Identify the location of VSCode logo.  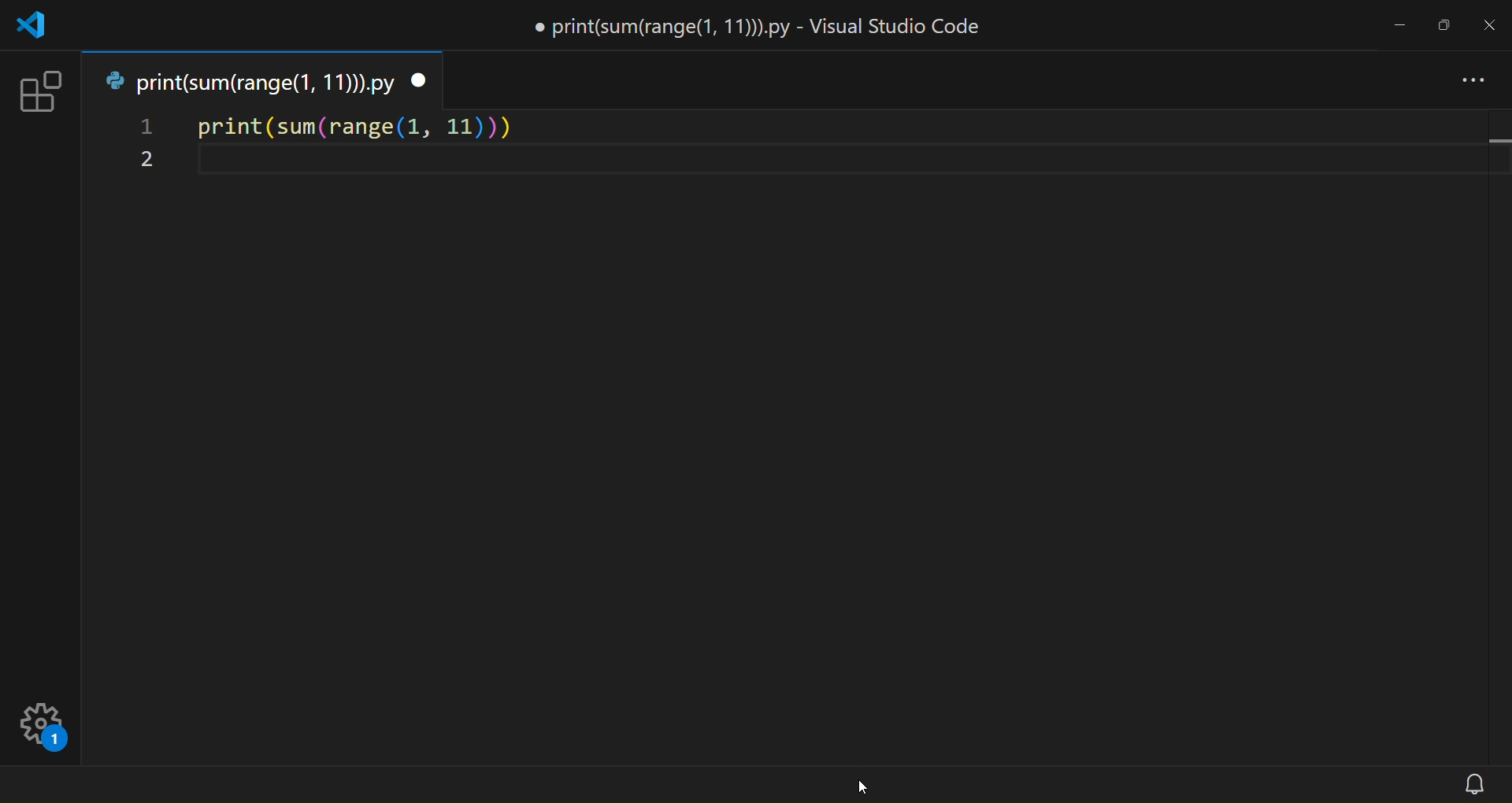
(32, 30).